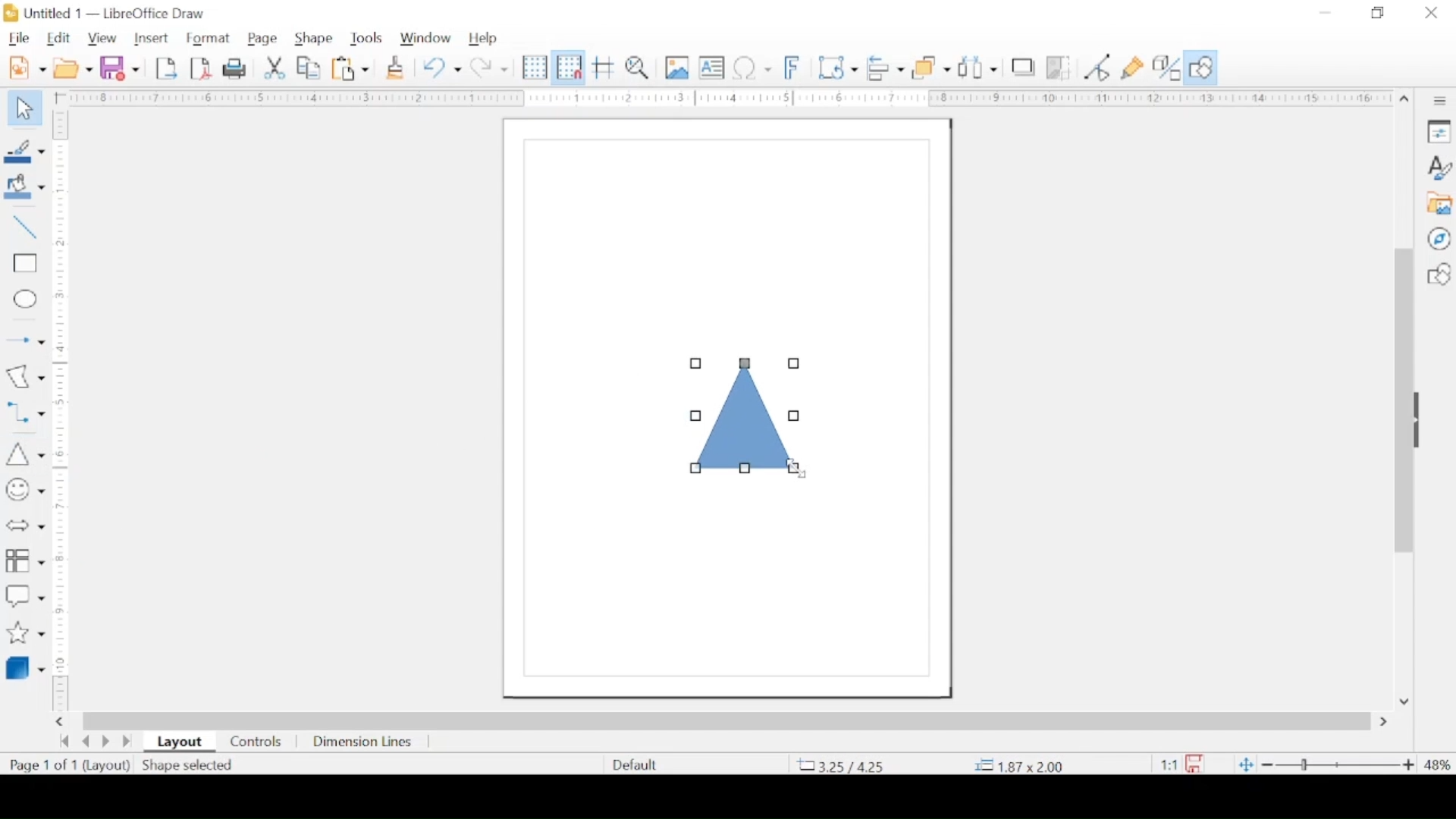 This screenshot has width=1456, height=819. Describe the element at coordinates (275, 68) in the screenshot. I see `cut` at that location.